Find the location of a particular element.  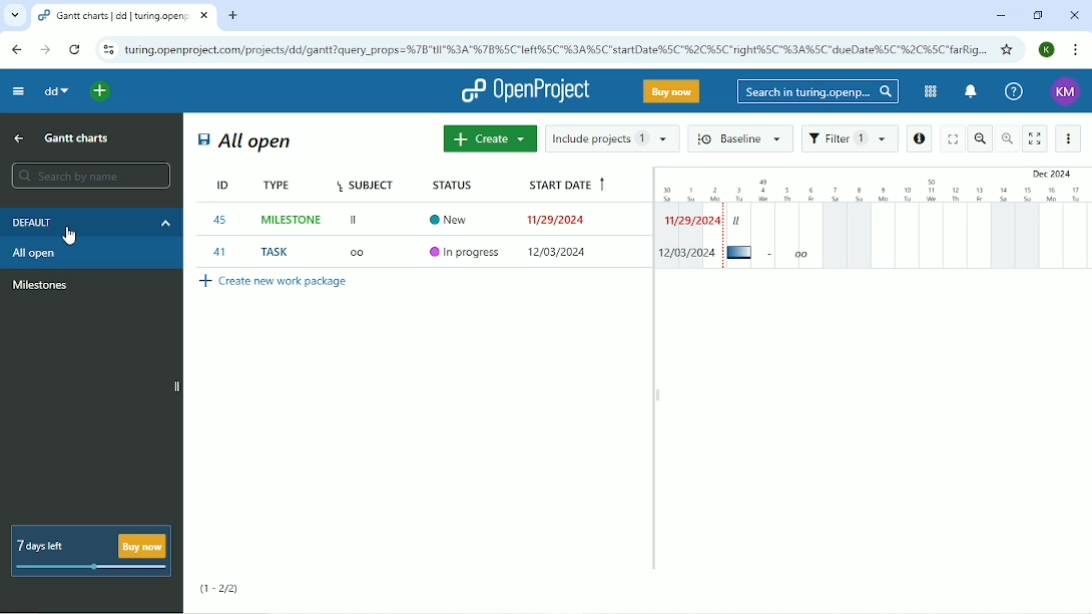

ID is located at coordinates (225, 221).